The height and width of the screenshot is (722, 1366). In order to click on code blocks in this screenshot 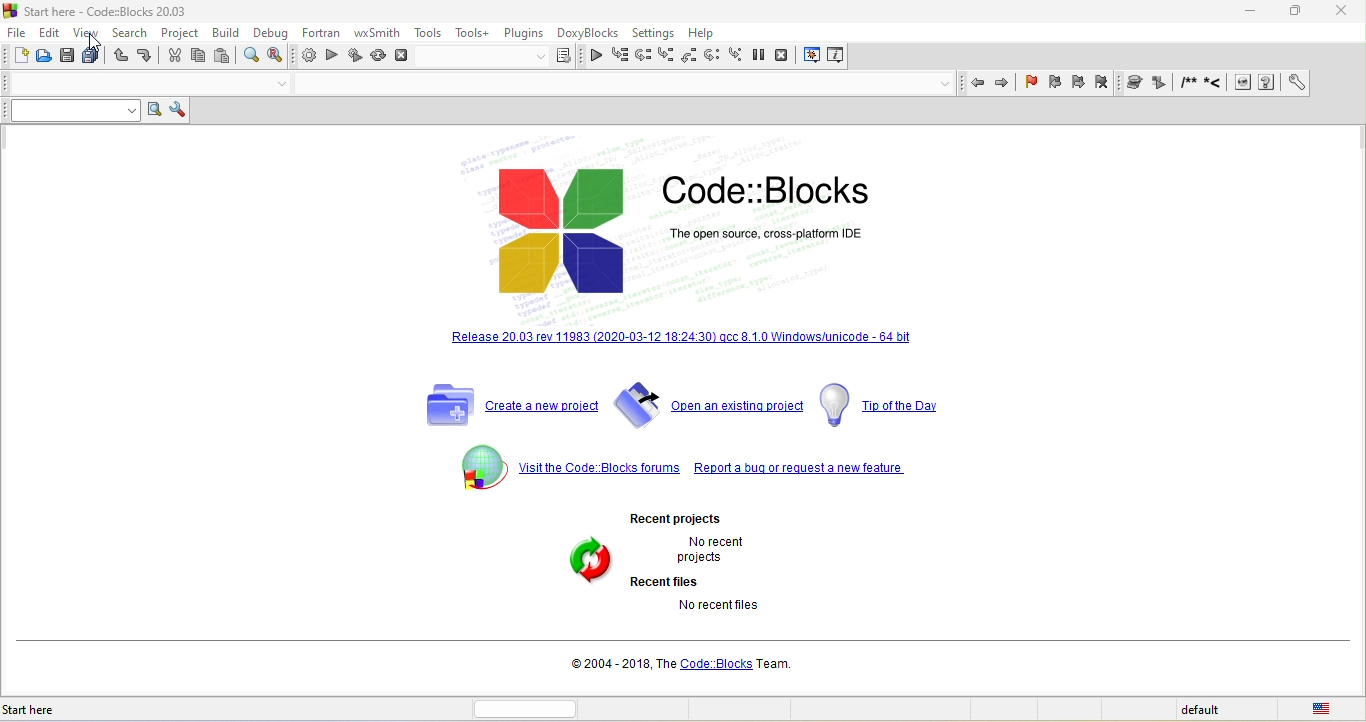, I will do `click(566, 230)`.